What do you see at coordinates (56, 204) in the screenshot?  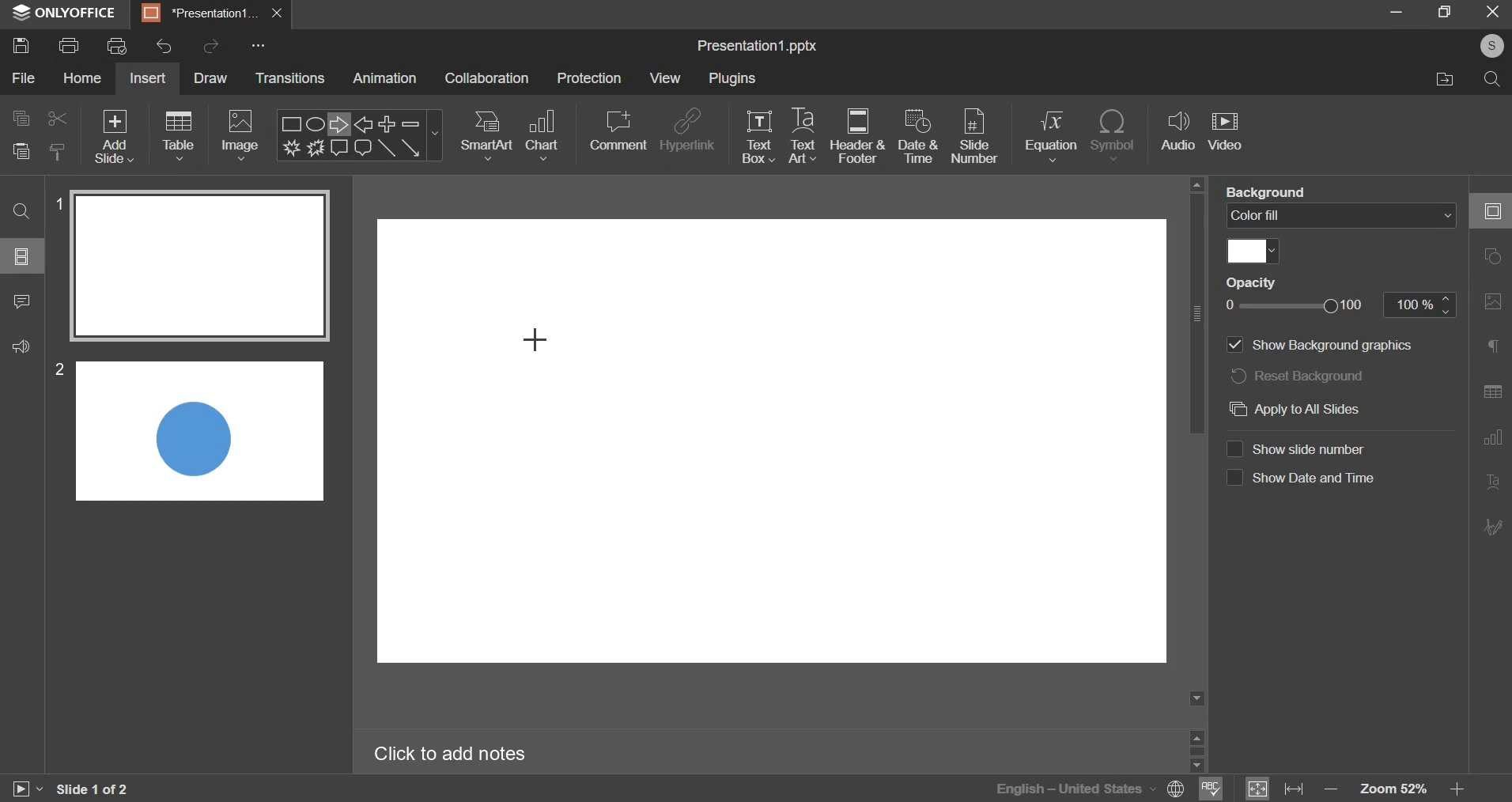 I see `1` at bounding box center [56, 204].